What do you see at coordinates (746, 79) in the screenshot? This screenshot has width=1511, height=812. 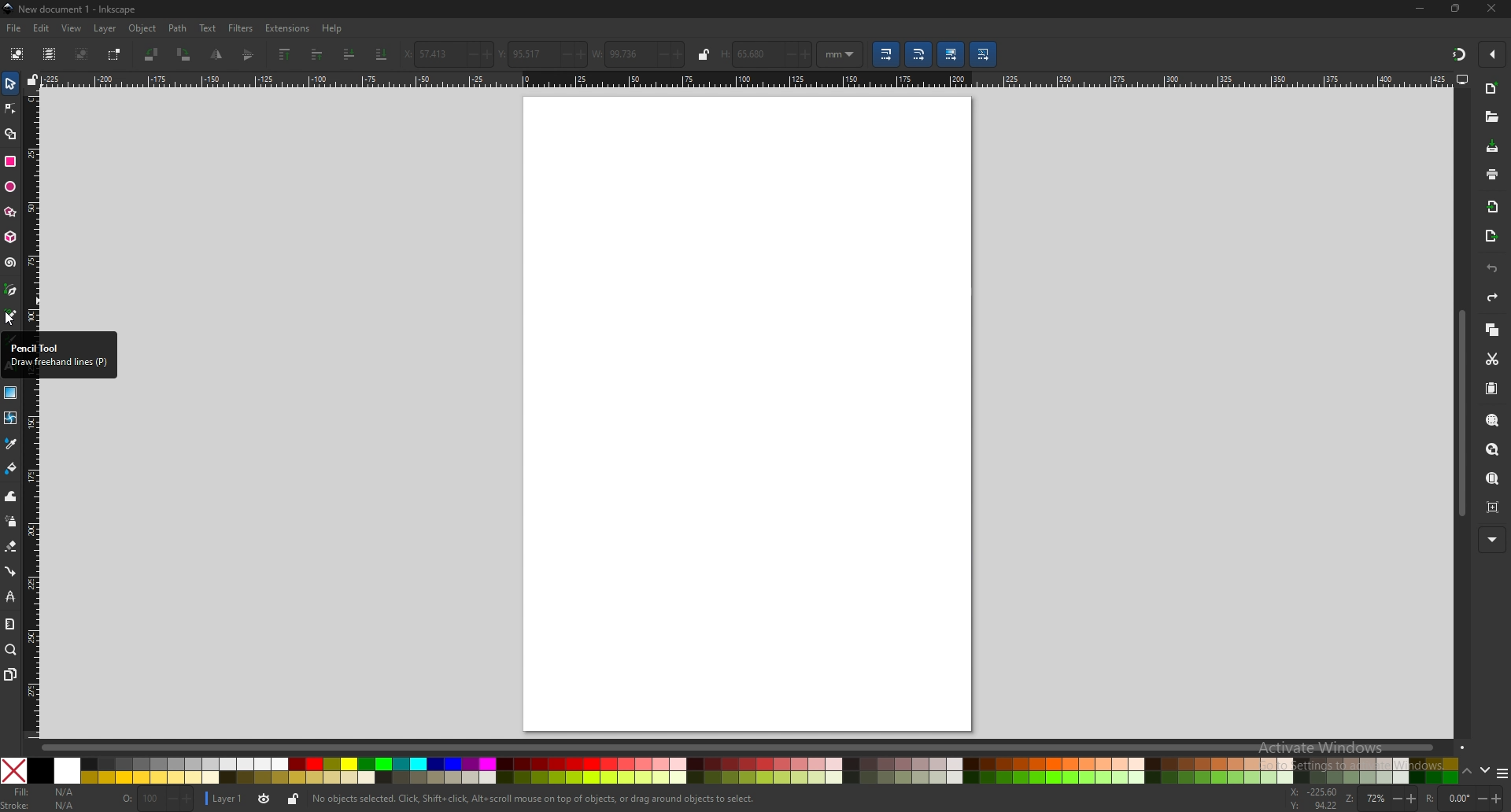 I see `horizontal scale` at bounding box center [746, 79].